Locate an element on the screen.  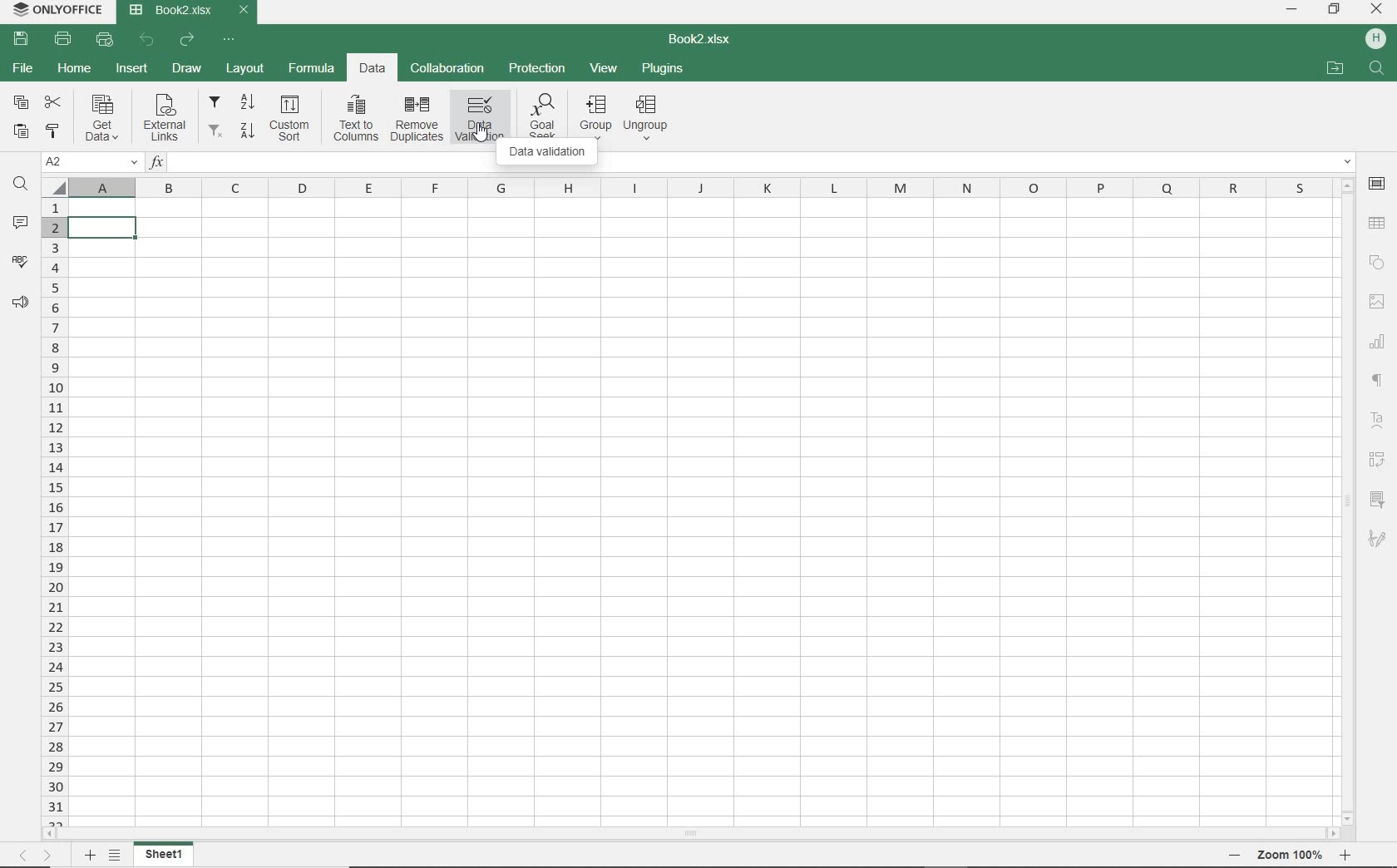
REDO is located at coordinates (187, 41).